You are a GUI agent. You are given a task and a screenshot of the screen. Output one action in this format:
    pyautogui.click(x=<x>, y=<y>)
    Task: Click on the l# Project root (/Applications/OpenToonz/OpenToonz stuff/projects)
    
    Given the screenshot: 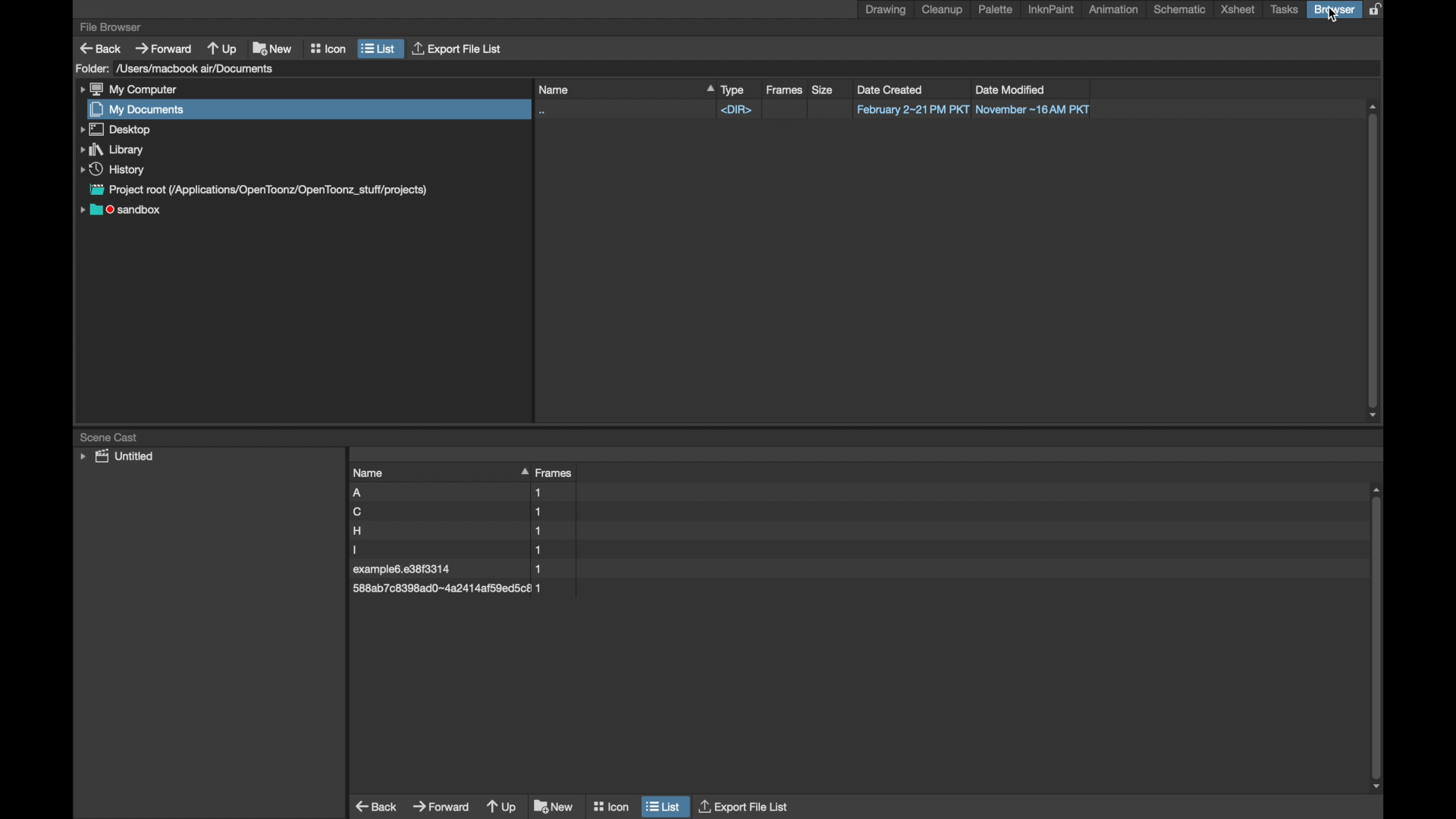 What is the action you would take?
    pyautogui.click(x=269, y=190)
    